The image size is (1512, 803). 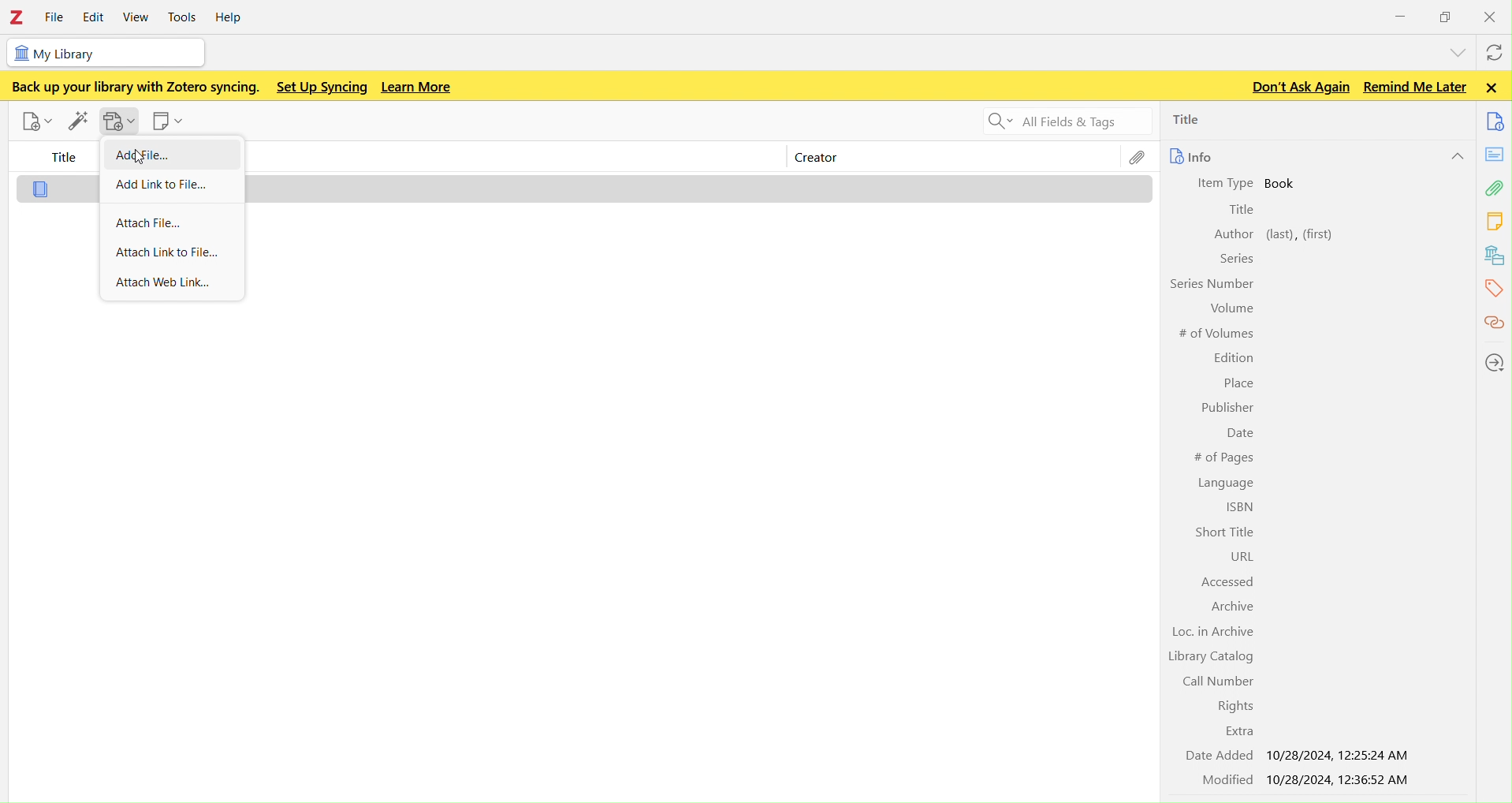 I want to click on attach link to file, so click(x=177, y=252).